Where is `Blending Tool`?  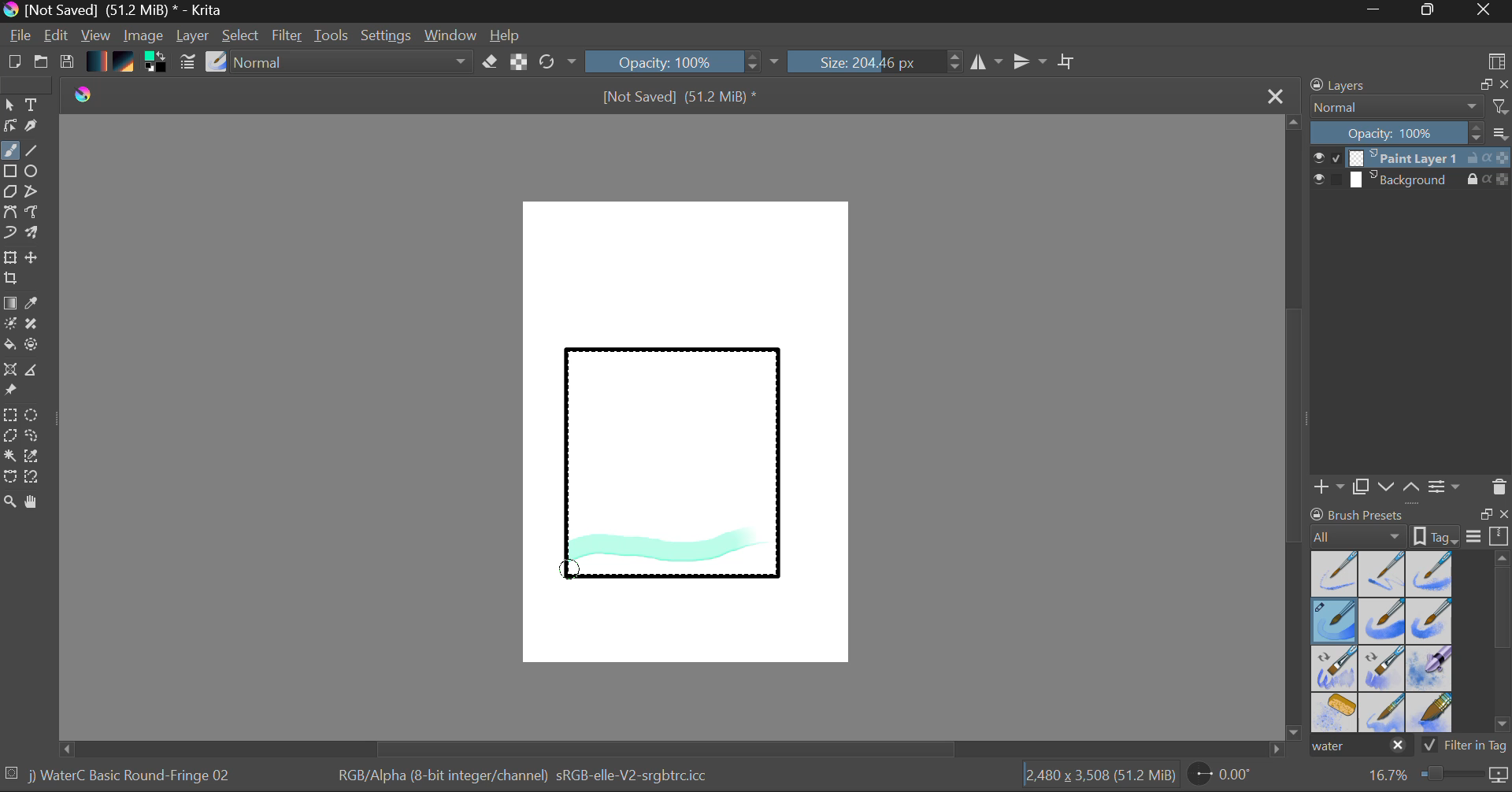
Blending Tool is located at coordinates (354, 63).